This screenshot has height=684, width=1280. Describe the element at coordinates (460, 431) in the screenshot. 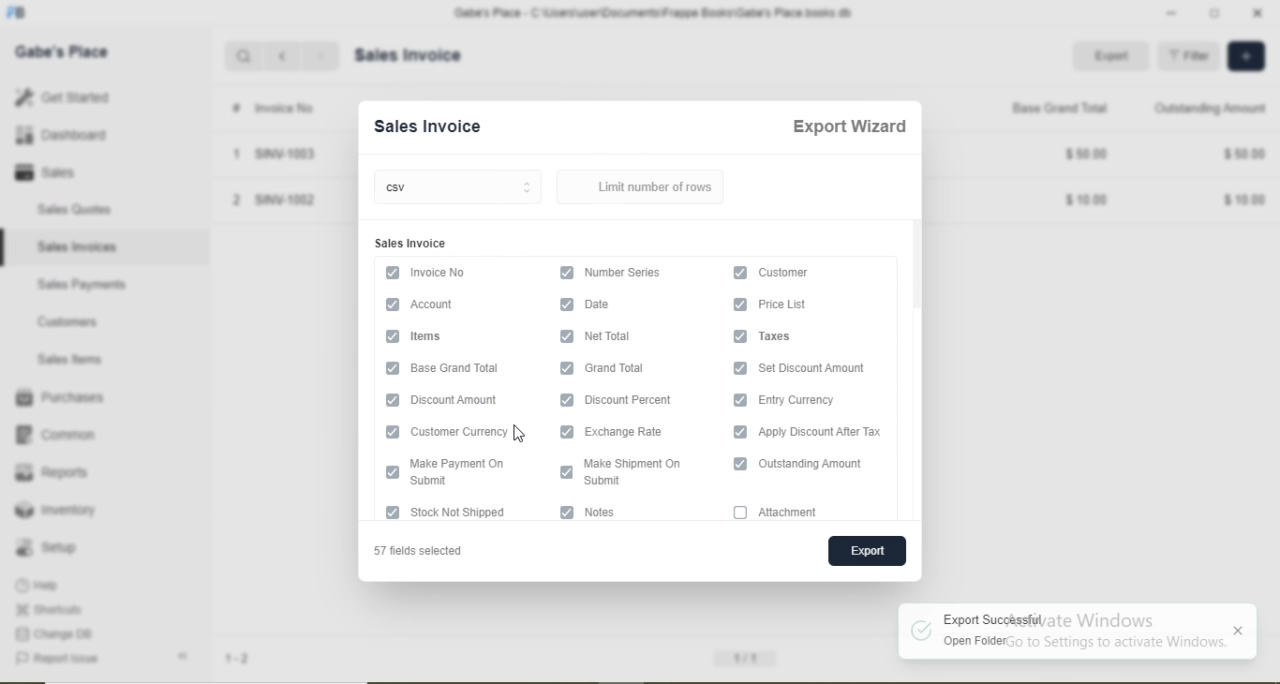

I see `Customer Currency` at that location.